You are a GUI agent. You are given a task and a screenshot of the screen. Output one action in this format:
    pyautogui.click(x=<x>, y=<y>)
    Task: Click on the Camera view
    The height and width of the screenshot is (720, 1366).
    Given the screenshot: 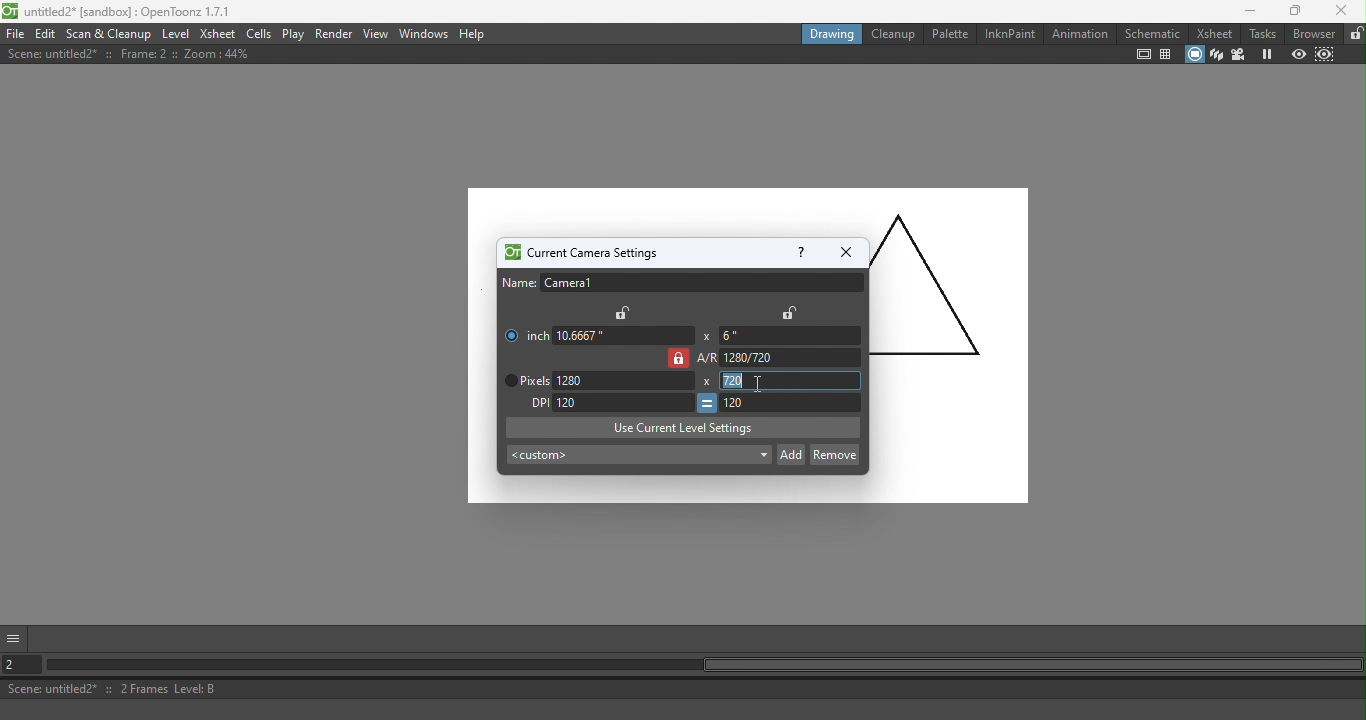 What is the action you would take?
    pyautogui.click(x=1238, y=55)
    